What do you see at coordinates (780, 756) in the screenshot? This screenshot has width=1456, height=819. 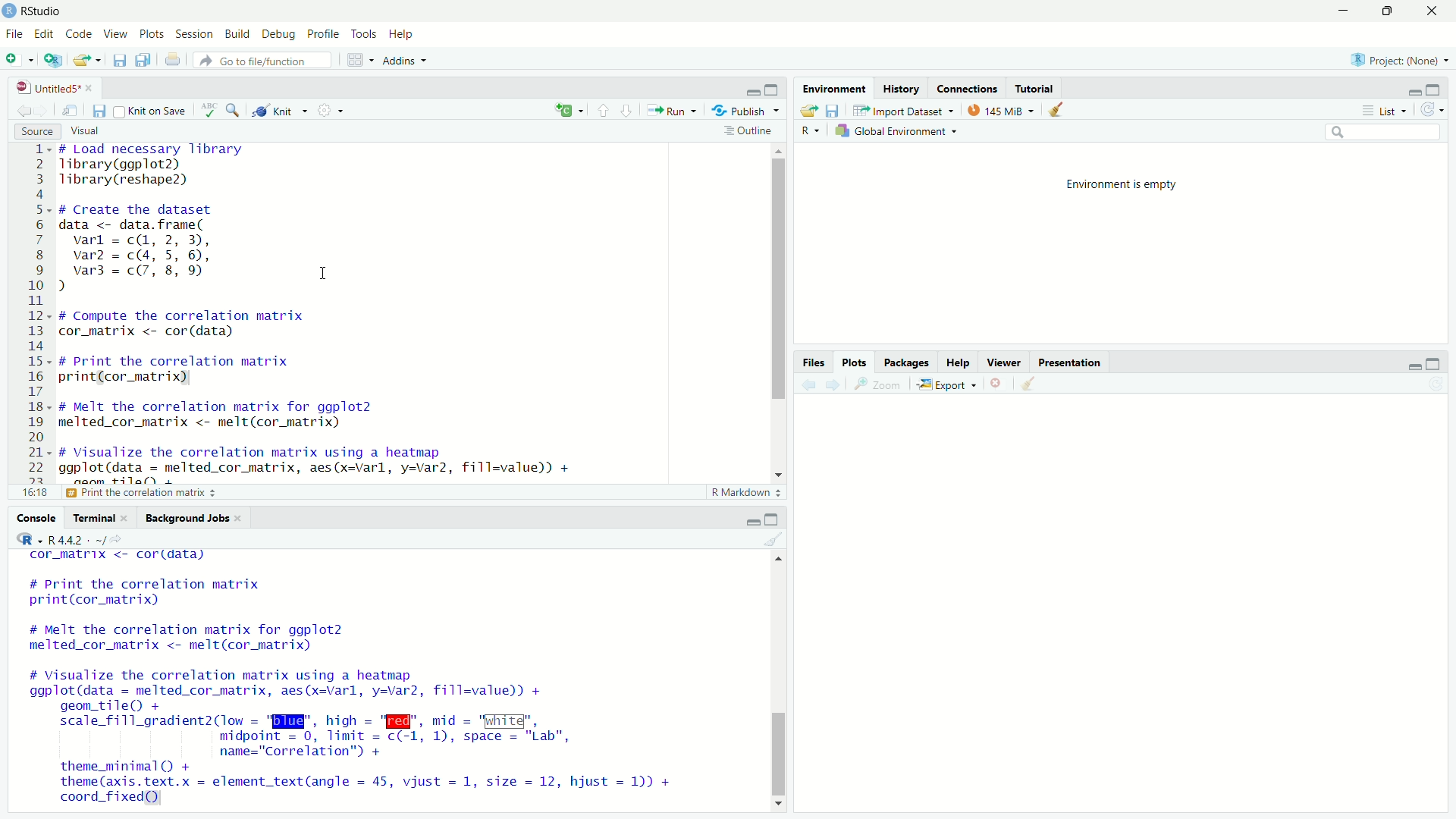 I see `vertical scrollbar` at bounding box center [780, 756].